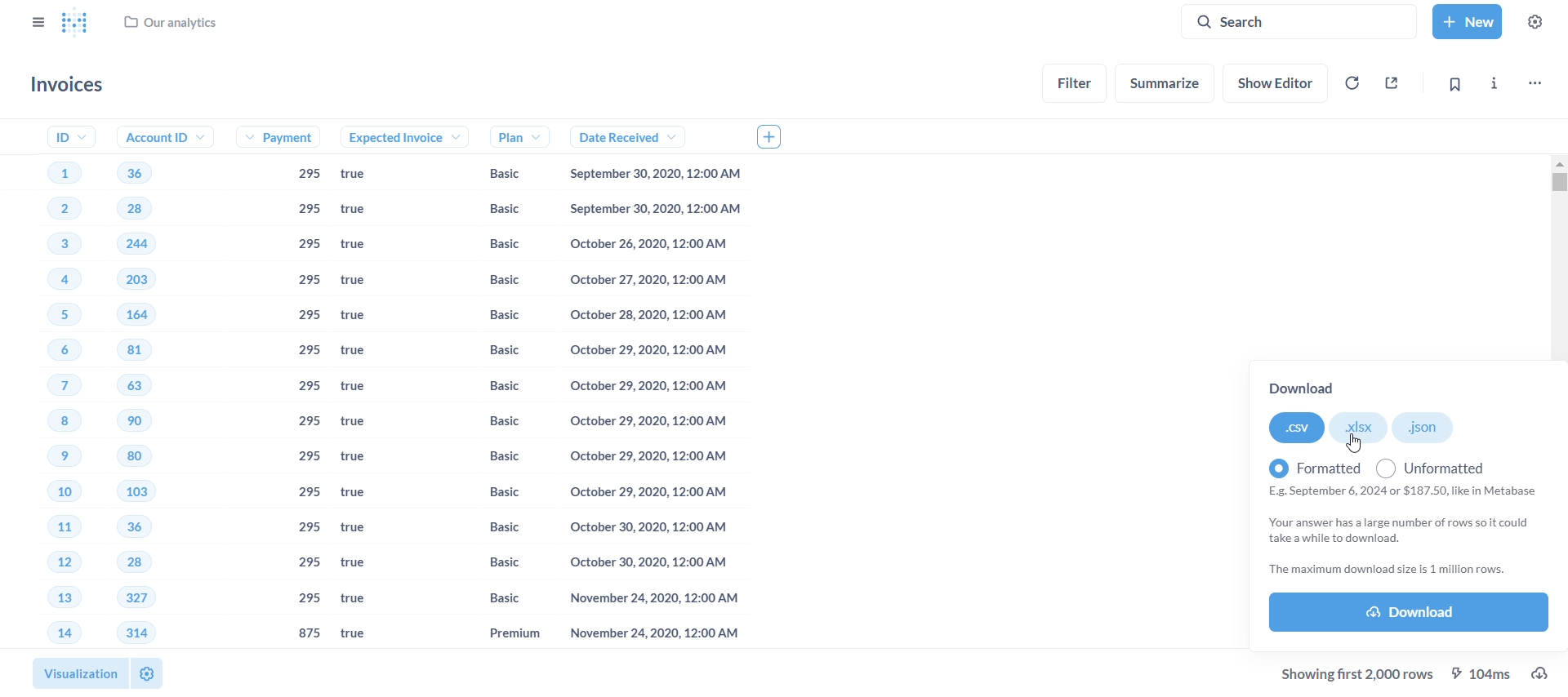 The image size is (1568, 697). I want to click on show editor, so click(1279, 81).